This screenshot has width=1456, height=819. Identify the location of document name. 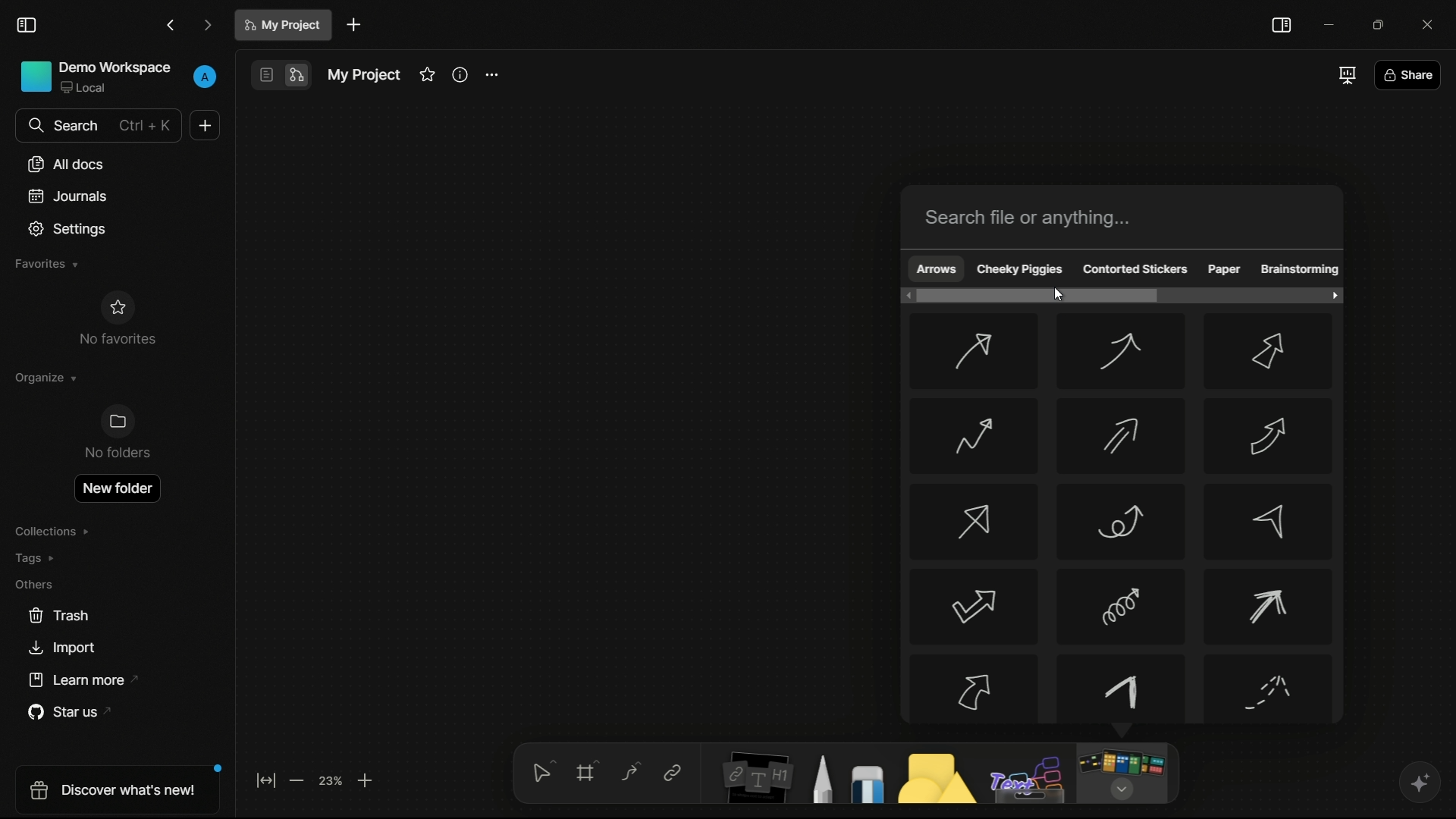
(362, 75).